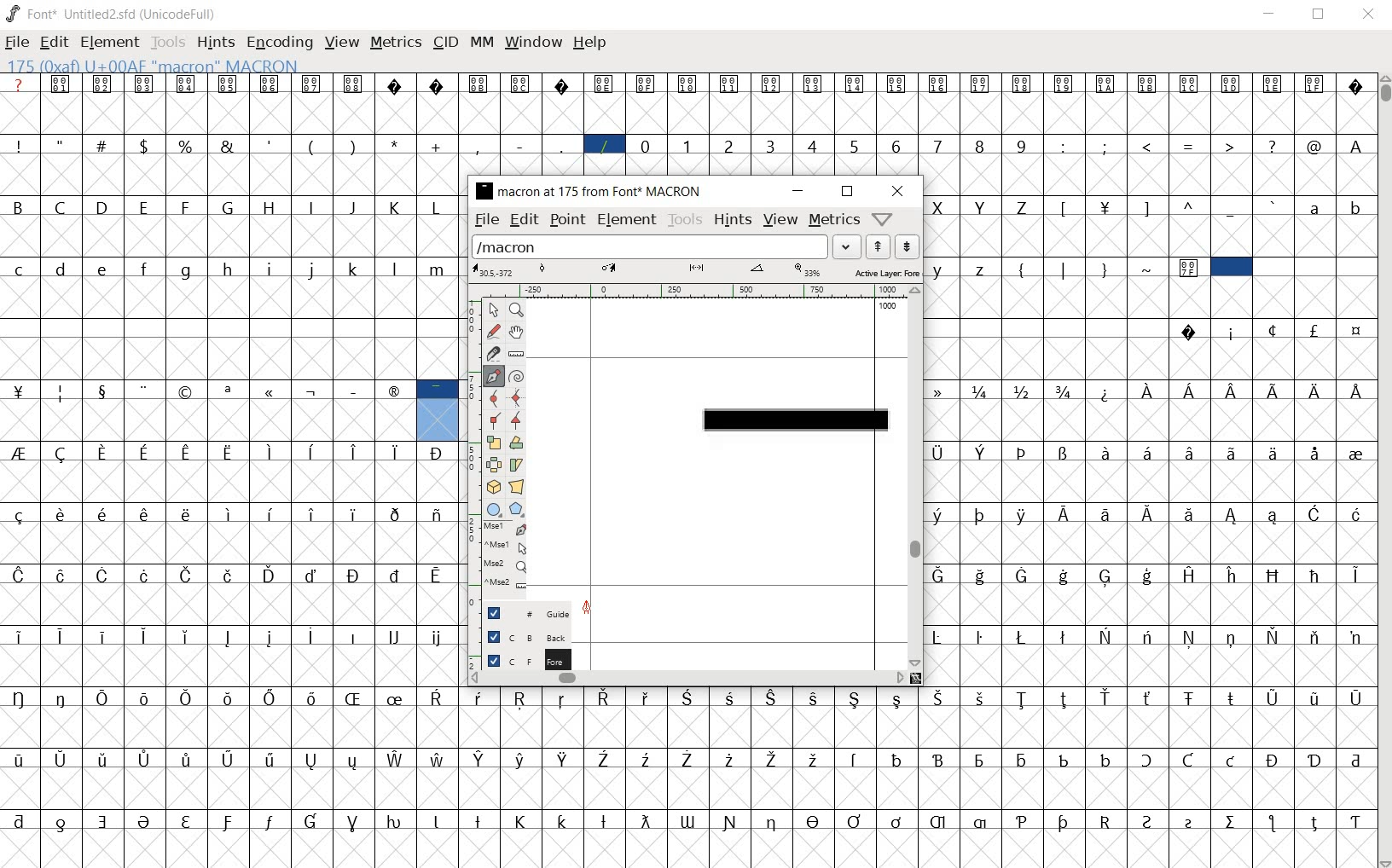 Image resolution: width=1392 pixels, height=868 pixels. I want to click on Symbol, so click(815, 84).